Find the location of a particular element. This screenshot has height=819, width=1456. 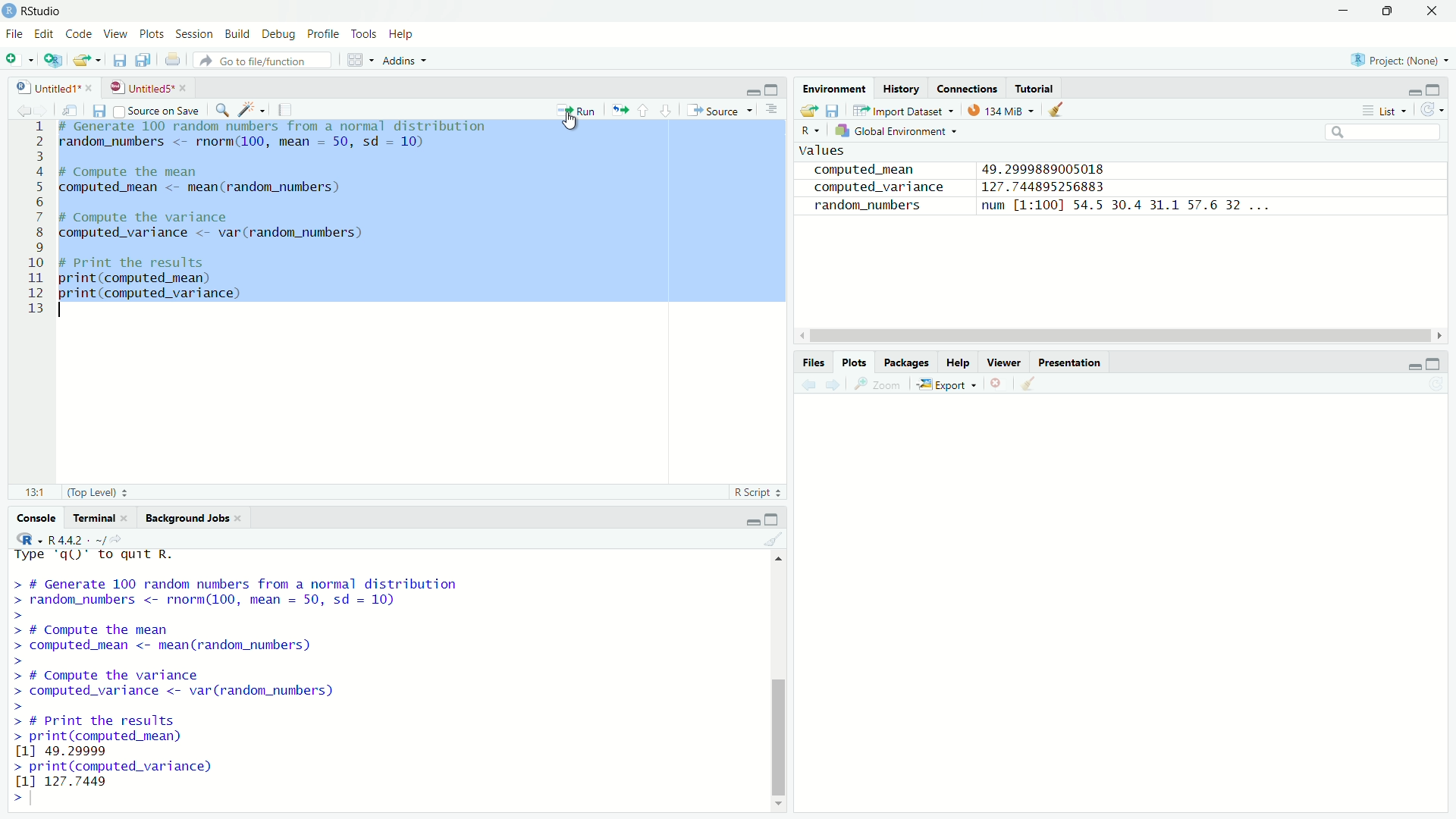

cursor is located at coordinates (572, 121).